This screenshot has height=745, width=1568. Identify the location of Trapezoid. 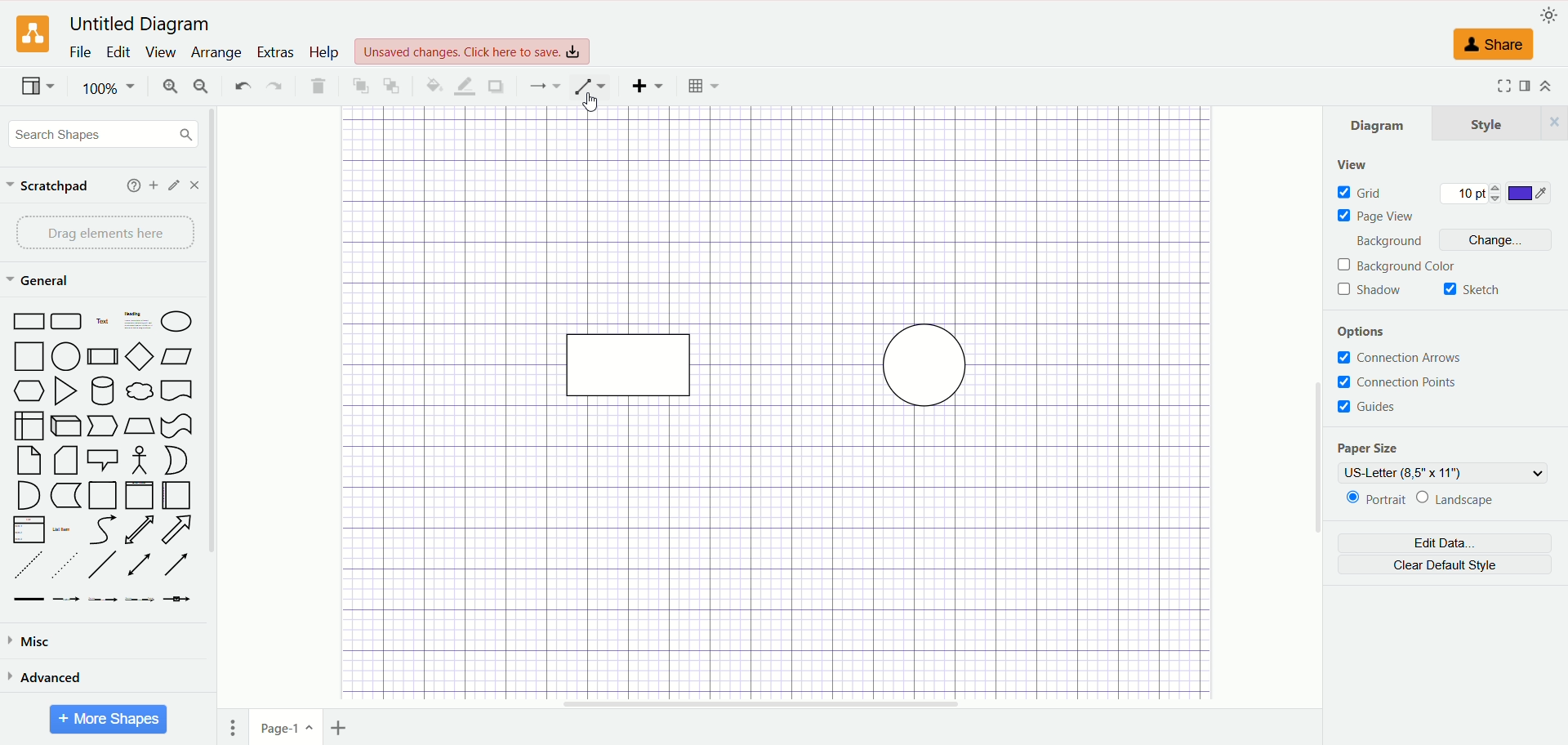
(140, 426).